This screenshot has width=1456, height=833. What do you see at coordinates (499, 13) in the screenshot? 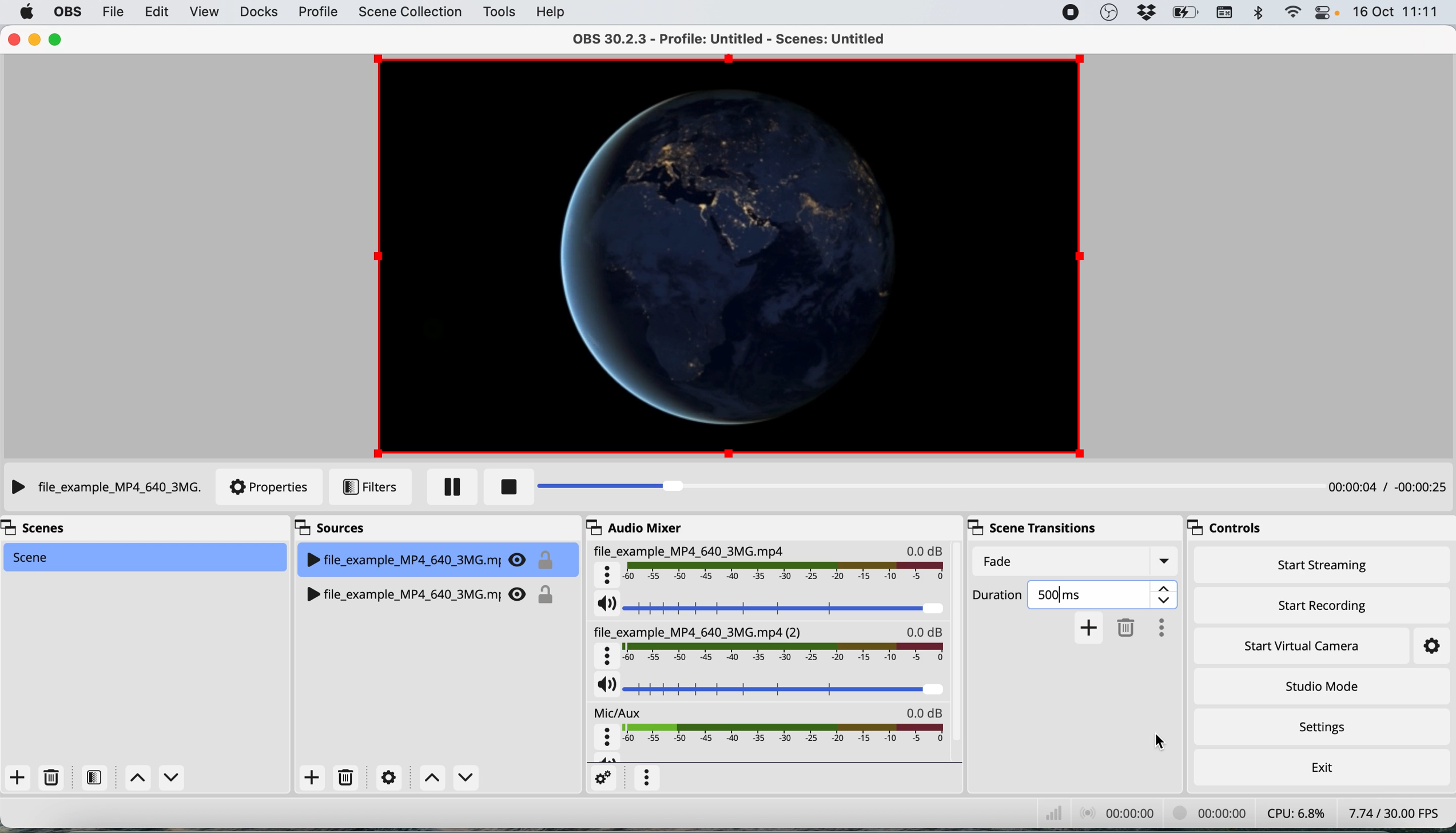
I see `tools` at bounding box center [499, 13].